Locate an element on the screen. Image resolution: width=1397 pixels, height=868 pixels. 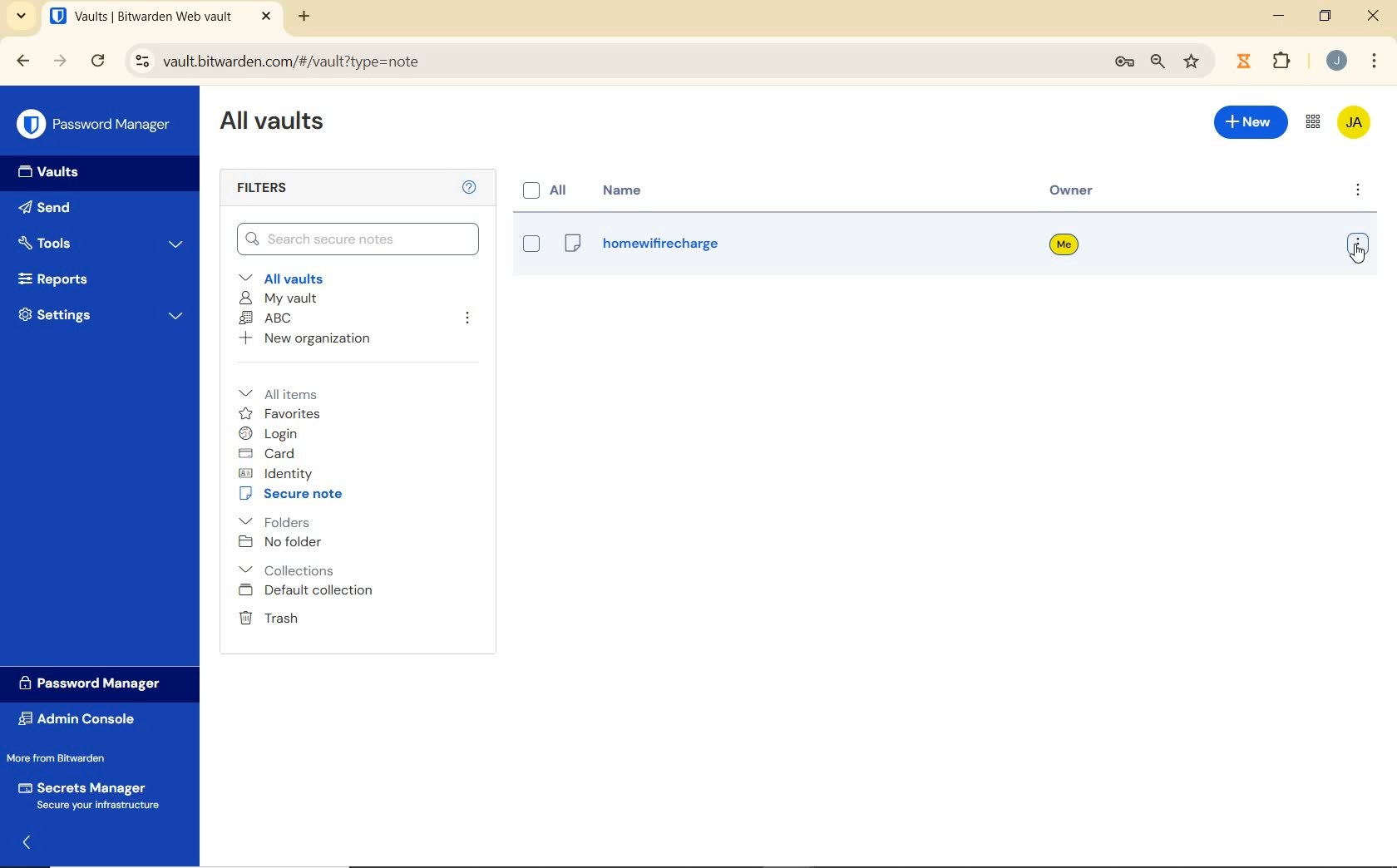
eye box is located at coordinates (530, 244).